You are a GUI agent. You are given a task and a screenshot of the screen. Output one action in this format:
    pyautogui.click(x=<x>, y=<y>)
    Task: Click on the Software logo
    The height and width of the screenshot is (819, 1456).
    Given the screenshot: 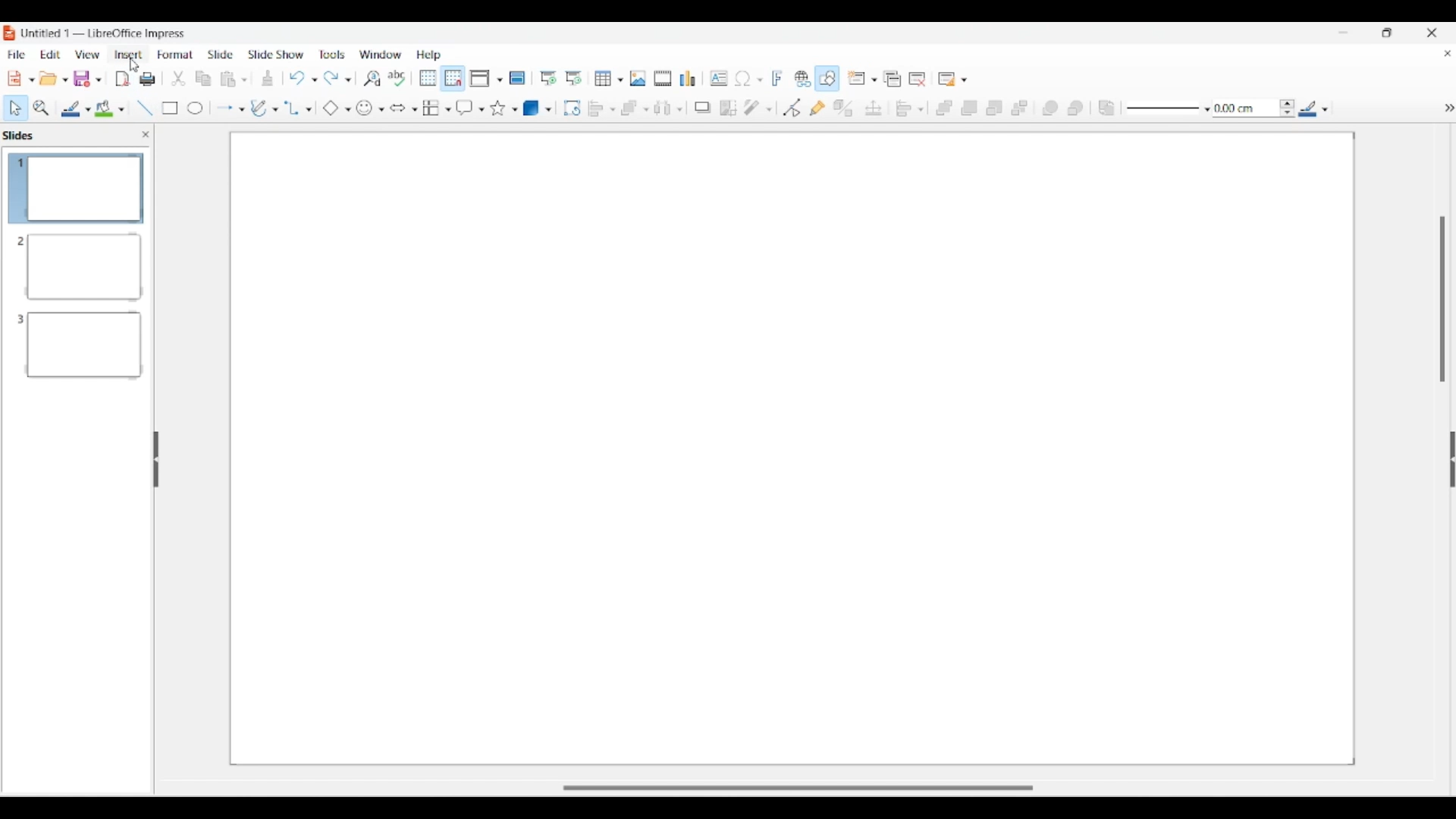 What is the action you would take?
    pyautogui.click(x=10, y=33)
    